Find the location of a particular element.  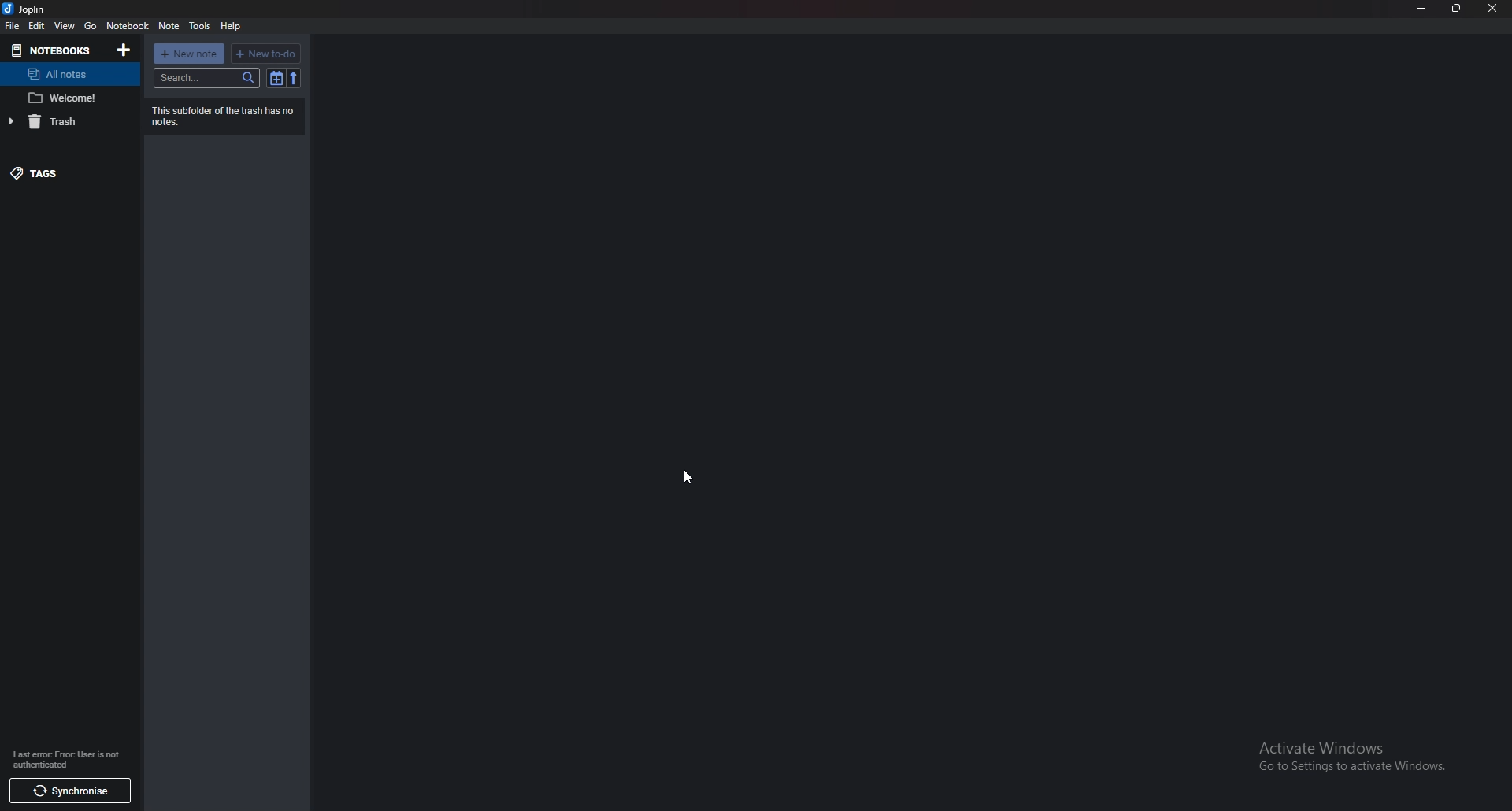

cursor is located at coordinates (687, 477).